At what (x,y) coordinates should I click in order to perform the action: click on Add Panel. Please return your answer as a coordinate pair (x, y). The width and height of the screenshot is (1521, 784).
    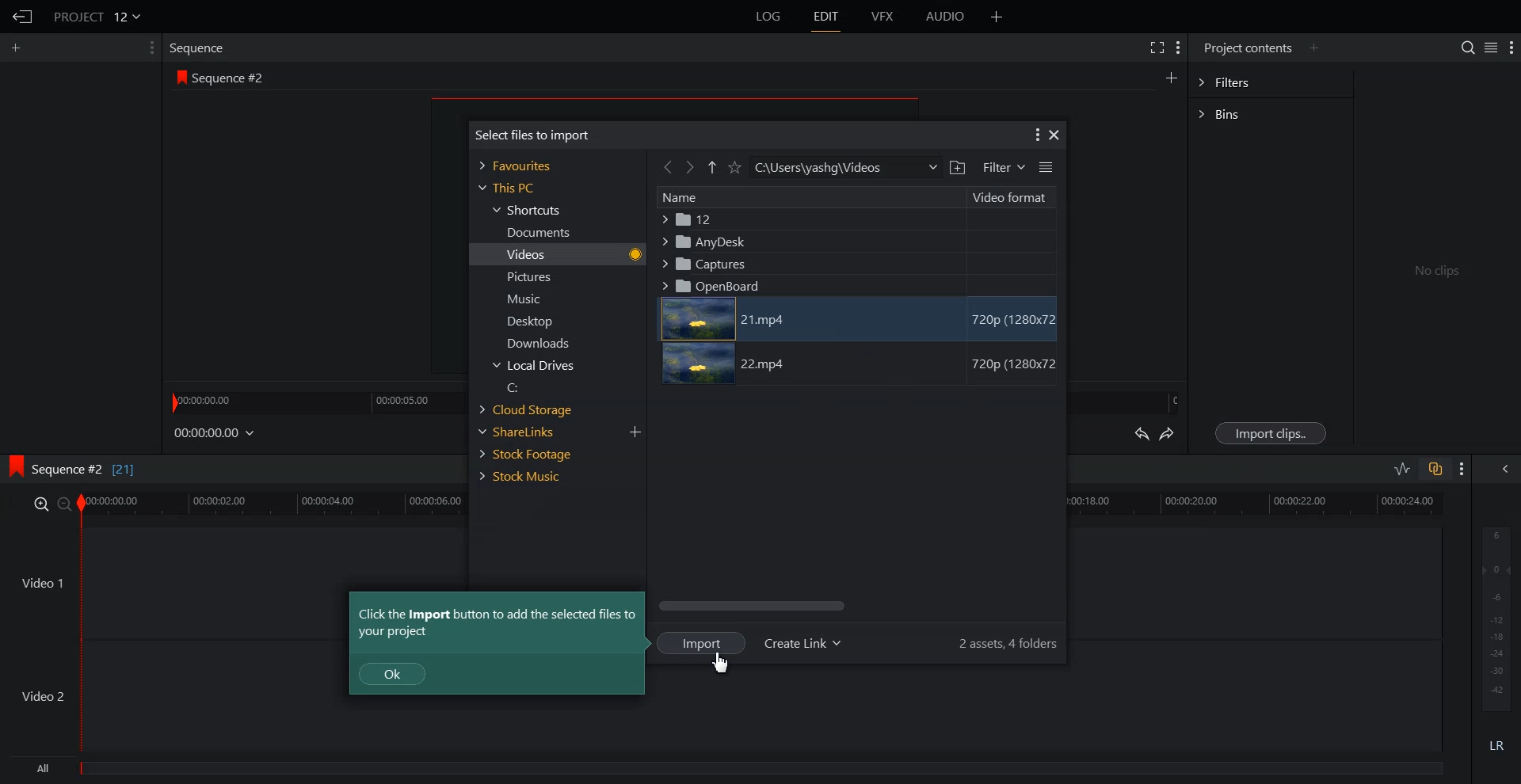
    Looking at the image, I should click on (997, 17).